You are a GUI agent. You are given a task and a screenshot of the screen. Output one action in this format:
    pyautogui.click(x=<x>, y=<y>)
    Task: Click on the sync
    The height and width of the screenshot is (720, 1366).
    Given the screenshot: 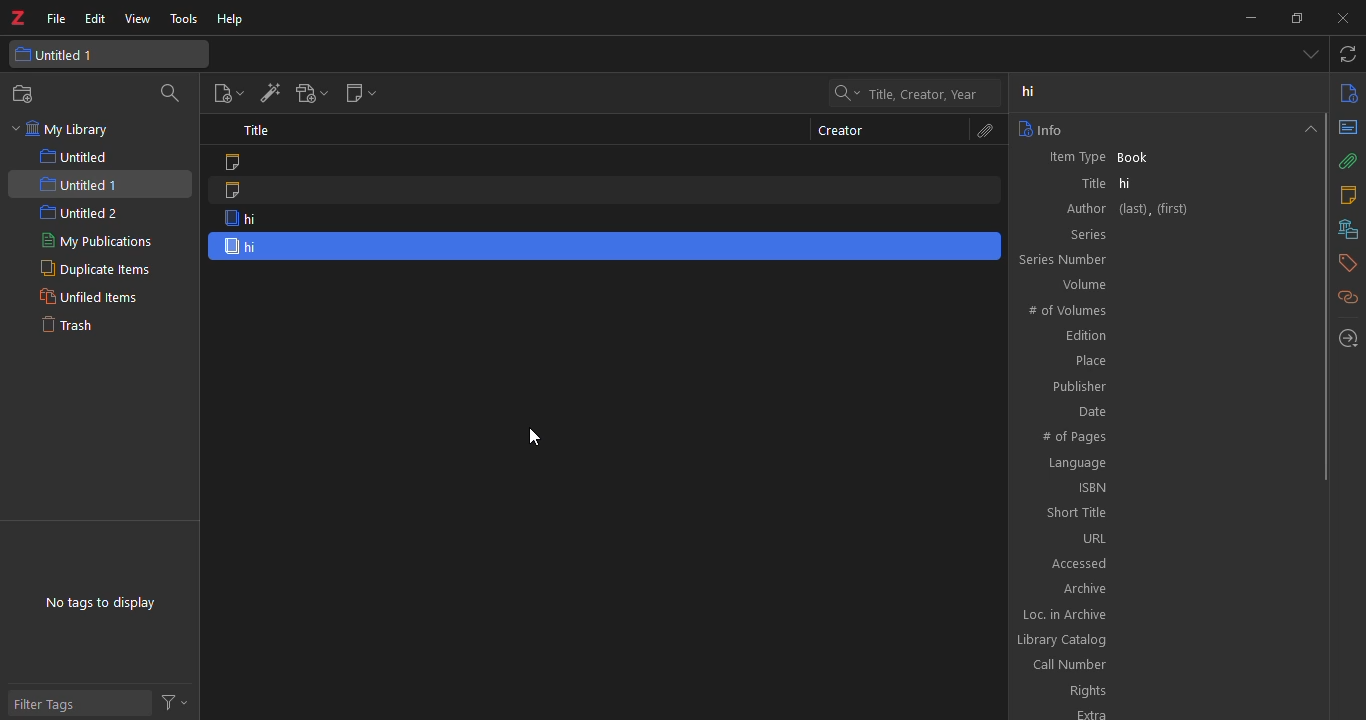 What is the action you would take?
    pyautogui.click(x=1346, y=53)
    